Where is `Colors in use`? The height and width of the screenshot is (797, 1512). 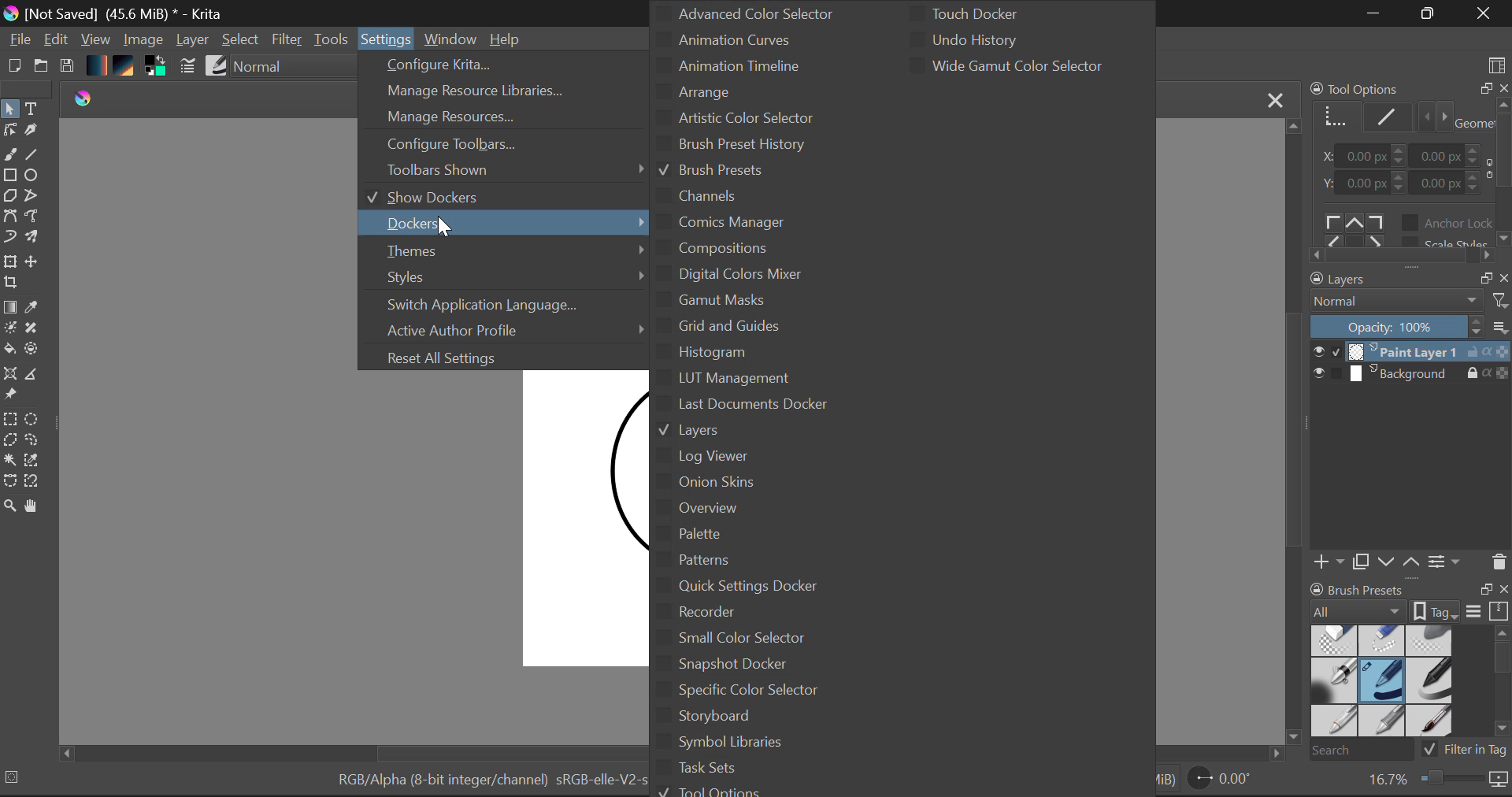
Colors in use is located at coordinates (159, 69).